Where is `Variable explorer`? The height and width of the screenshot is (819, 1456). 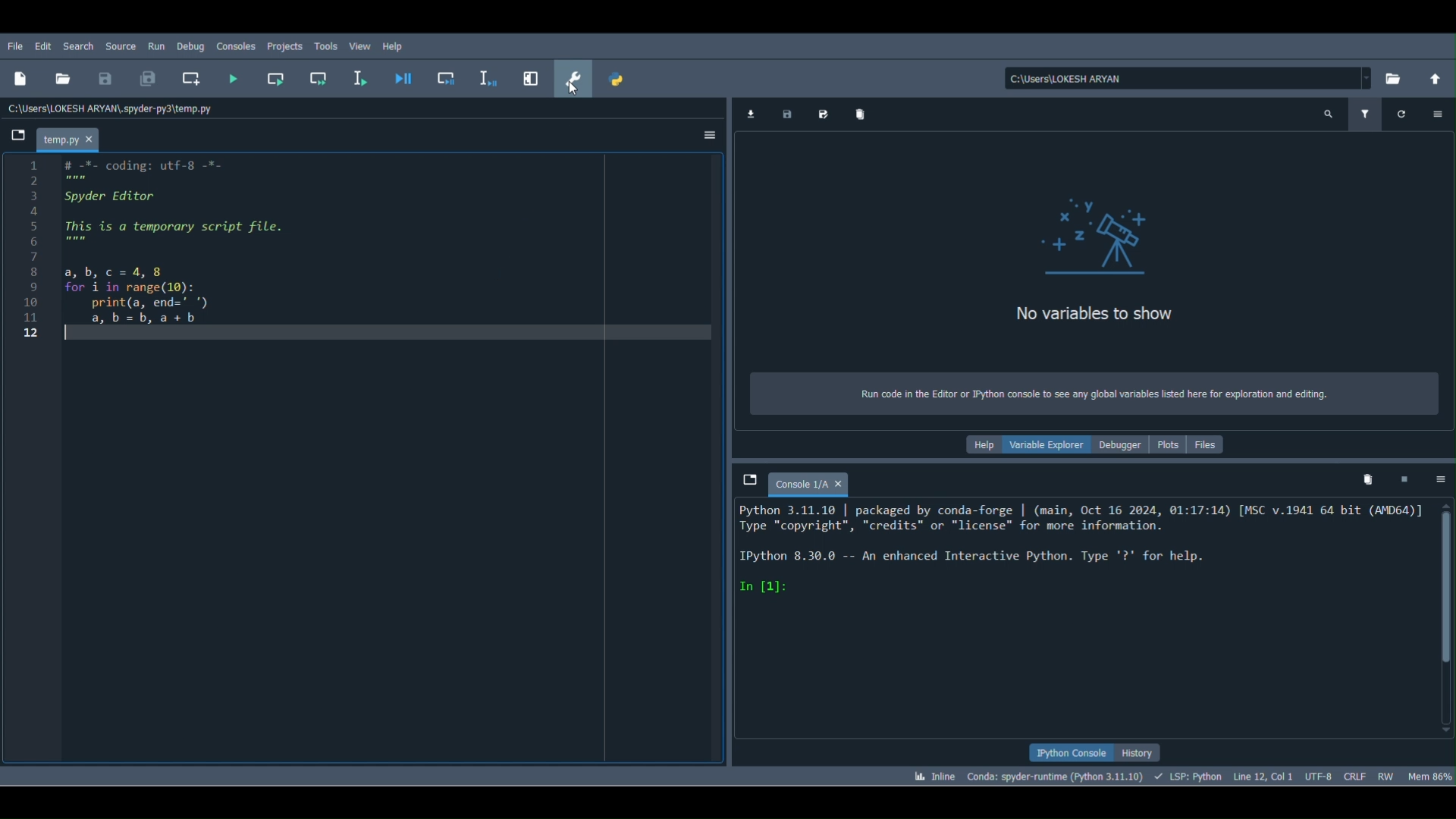
Variable explorer is located at coordinates (1050, 444).